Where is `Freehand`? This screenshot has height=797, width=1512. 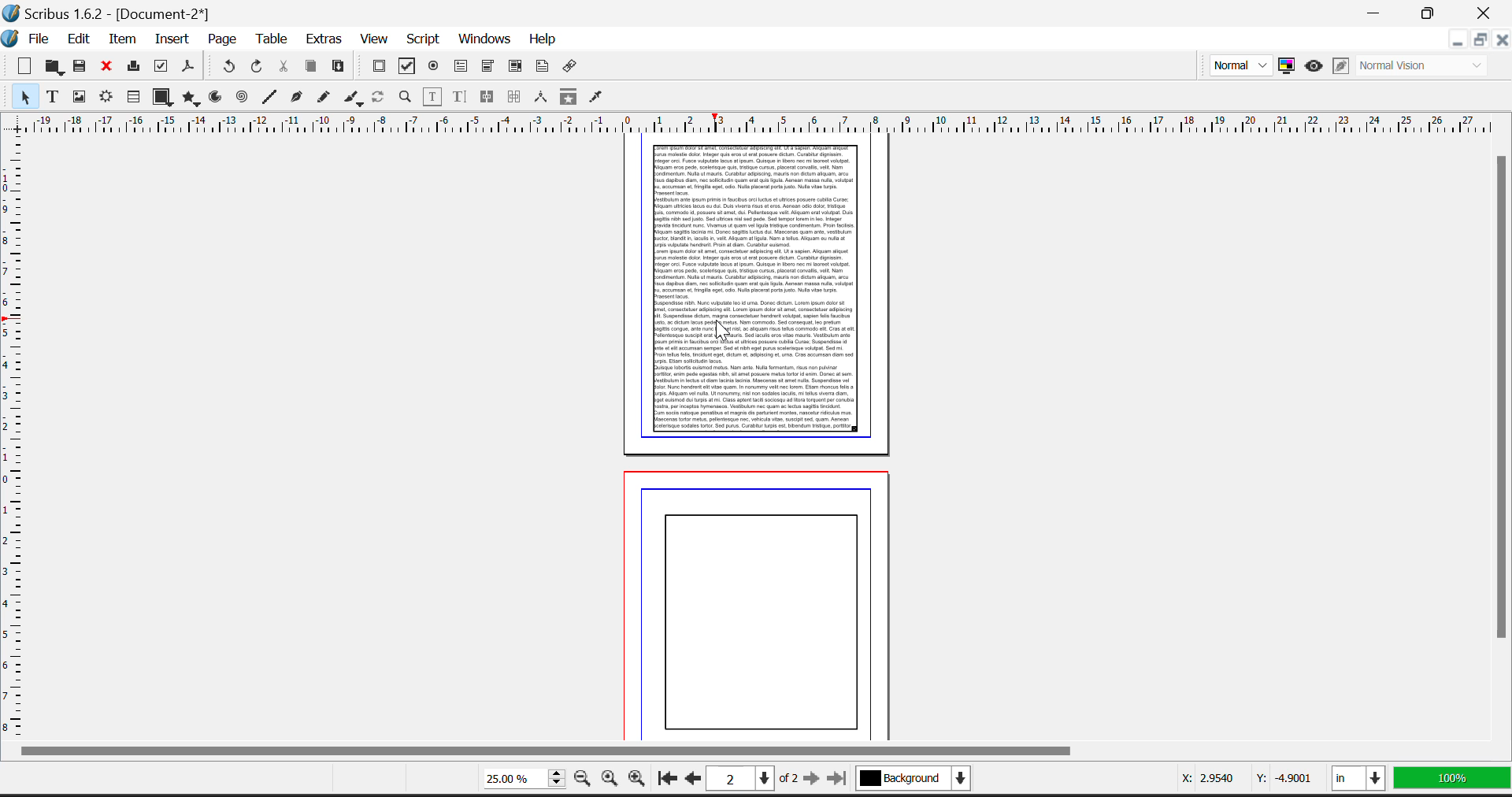
Freehand is located at coordinates (323, 99).